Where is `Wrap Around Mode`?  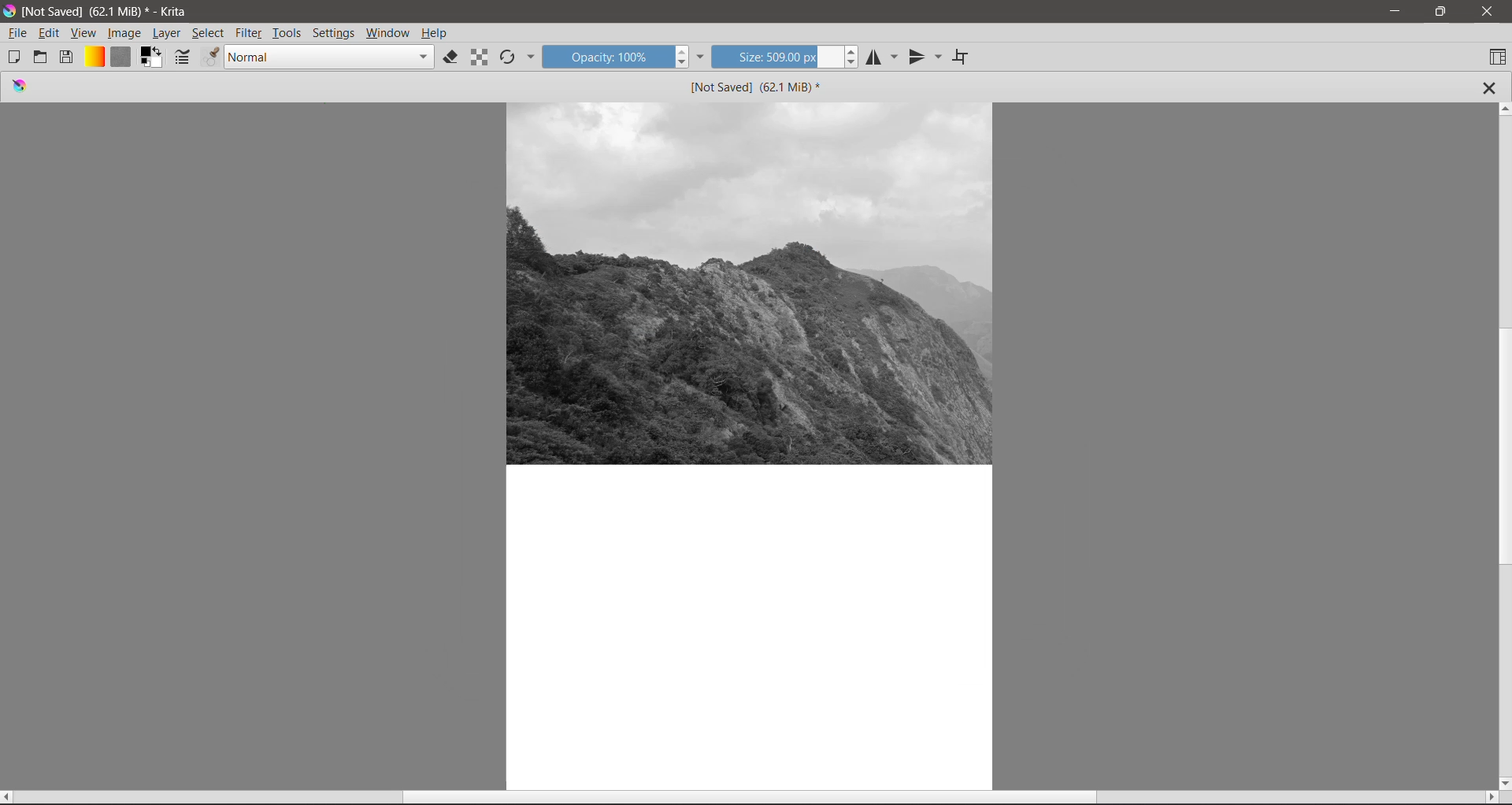
Wrap Around Mode is located at coordinates (961, 58).